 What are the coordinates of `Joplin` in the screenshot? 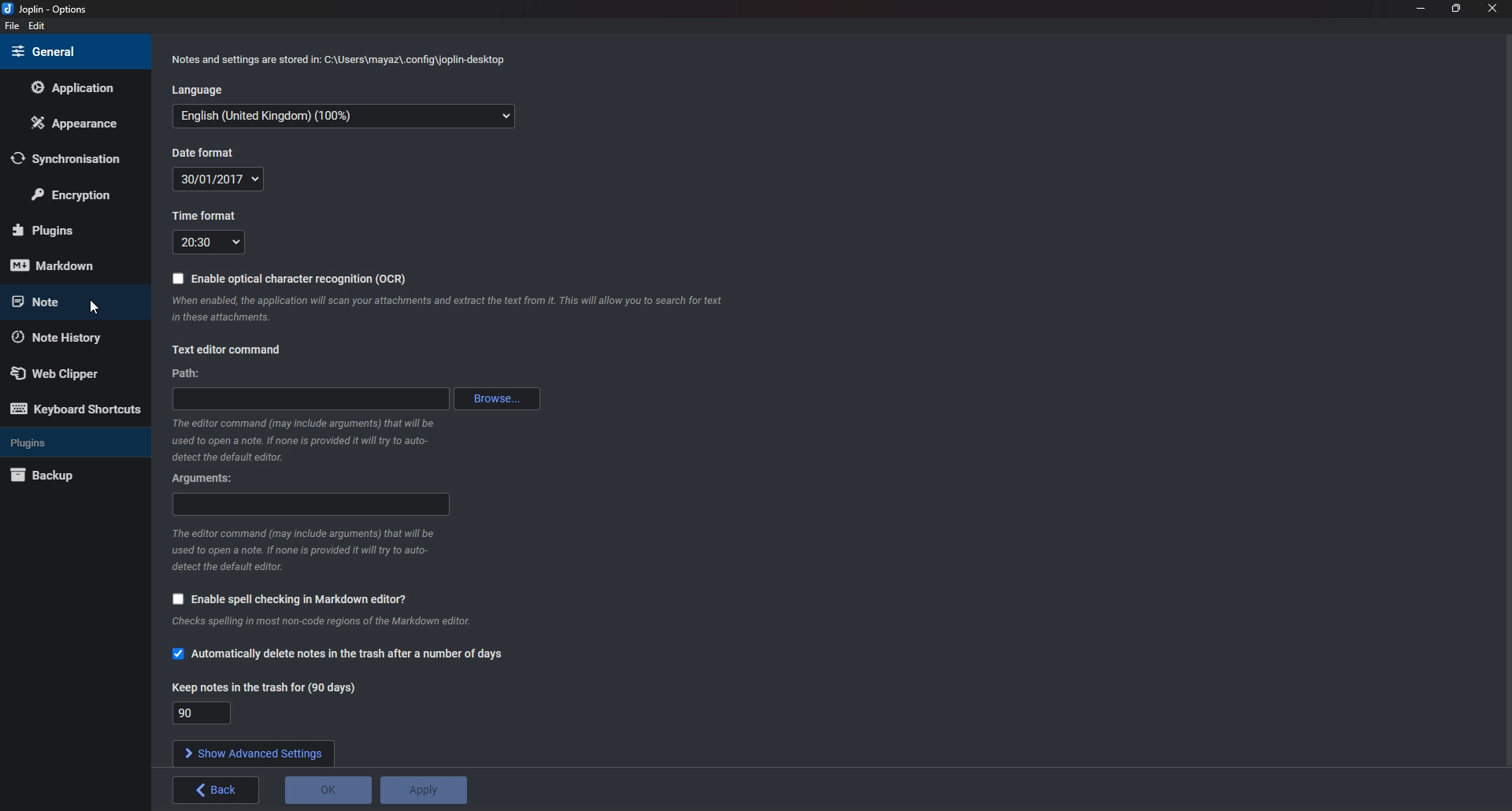 It's located at (54, 10).